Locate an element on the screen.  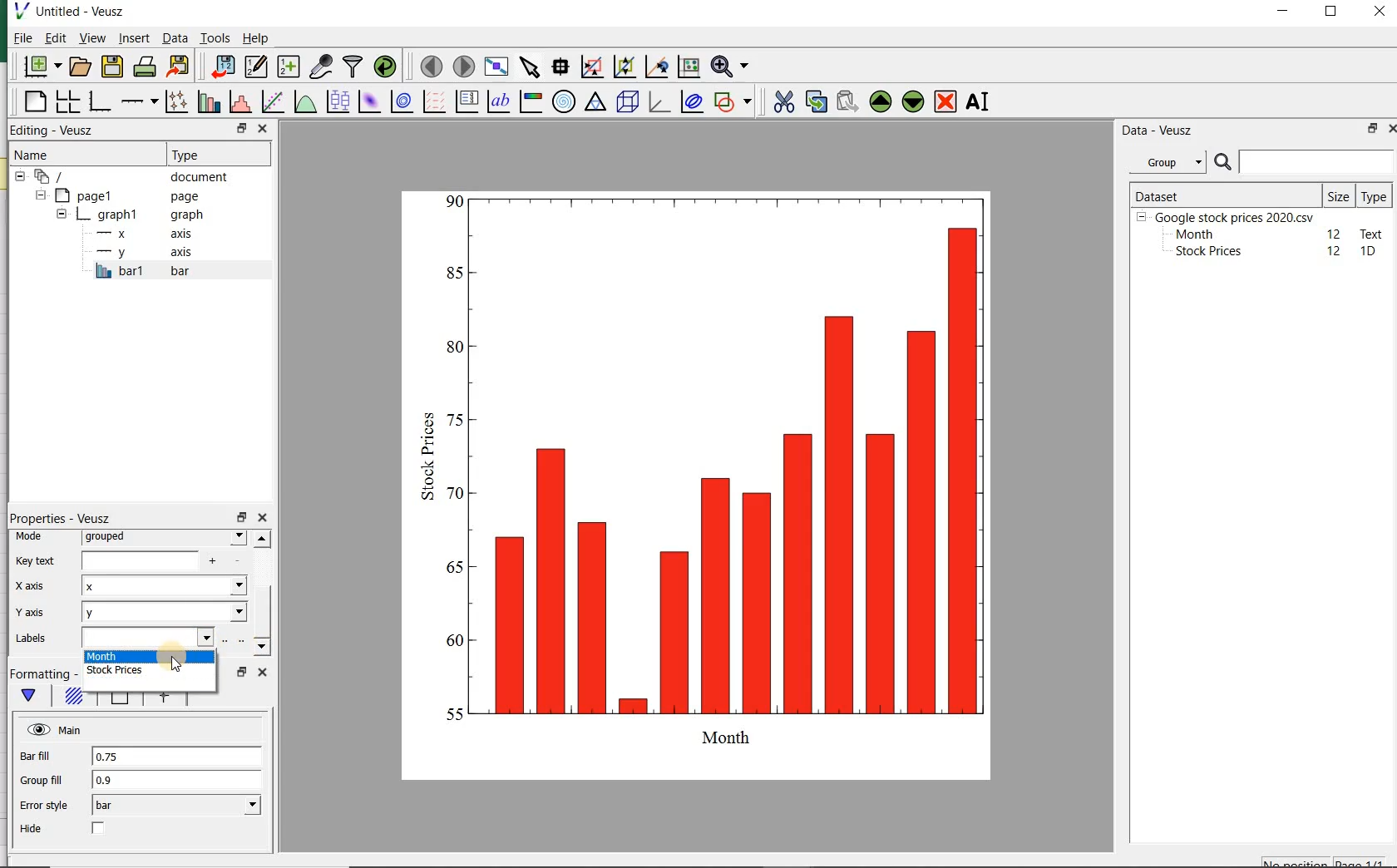
view plot full screen is located at coordinates (496, 67).